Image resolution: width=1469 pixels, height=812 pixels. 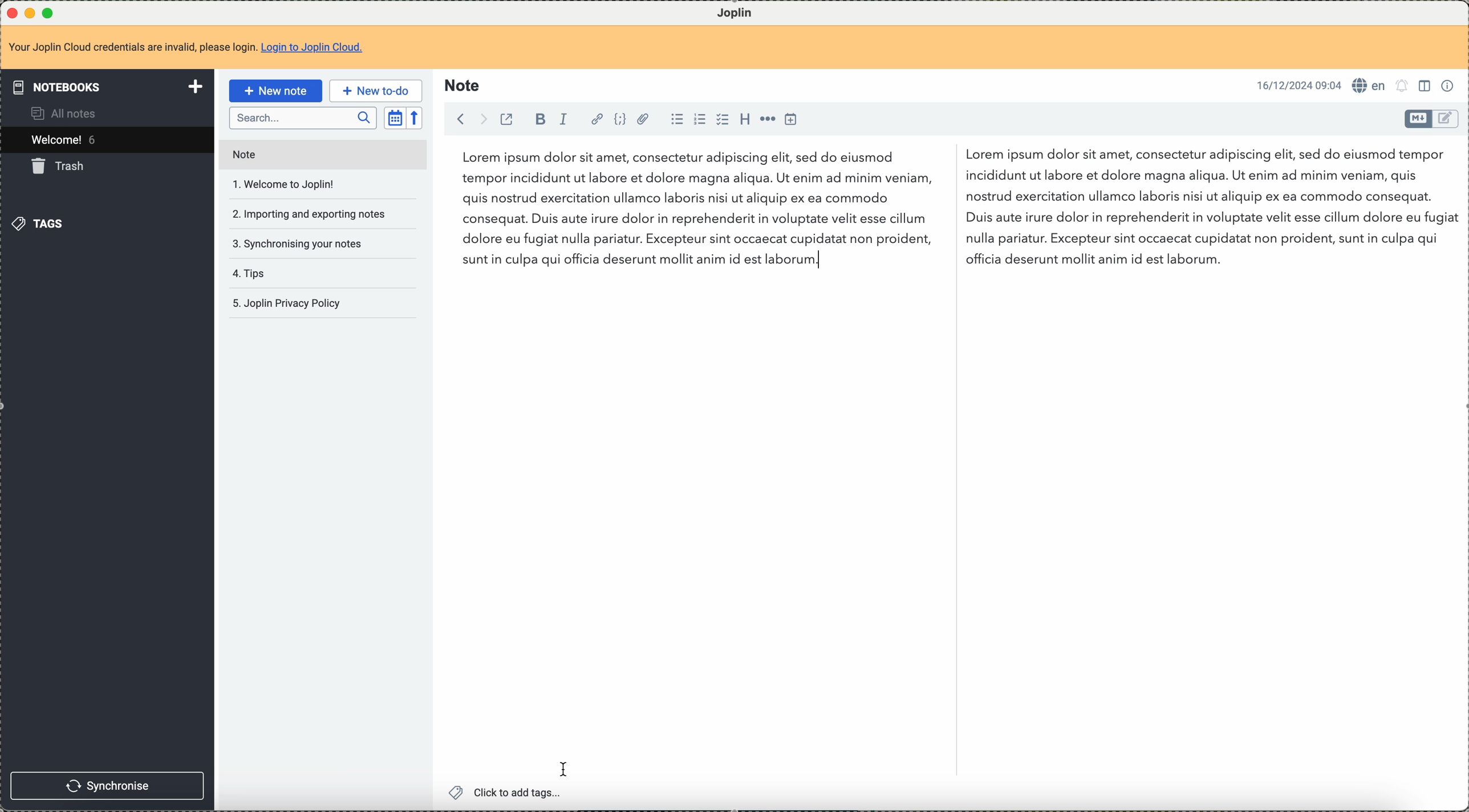 I want to click on reverse sort order, so click(x=415, y=117).